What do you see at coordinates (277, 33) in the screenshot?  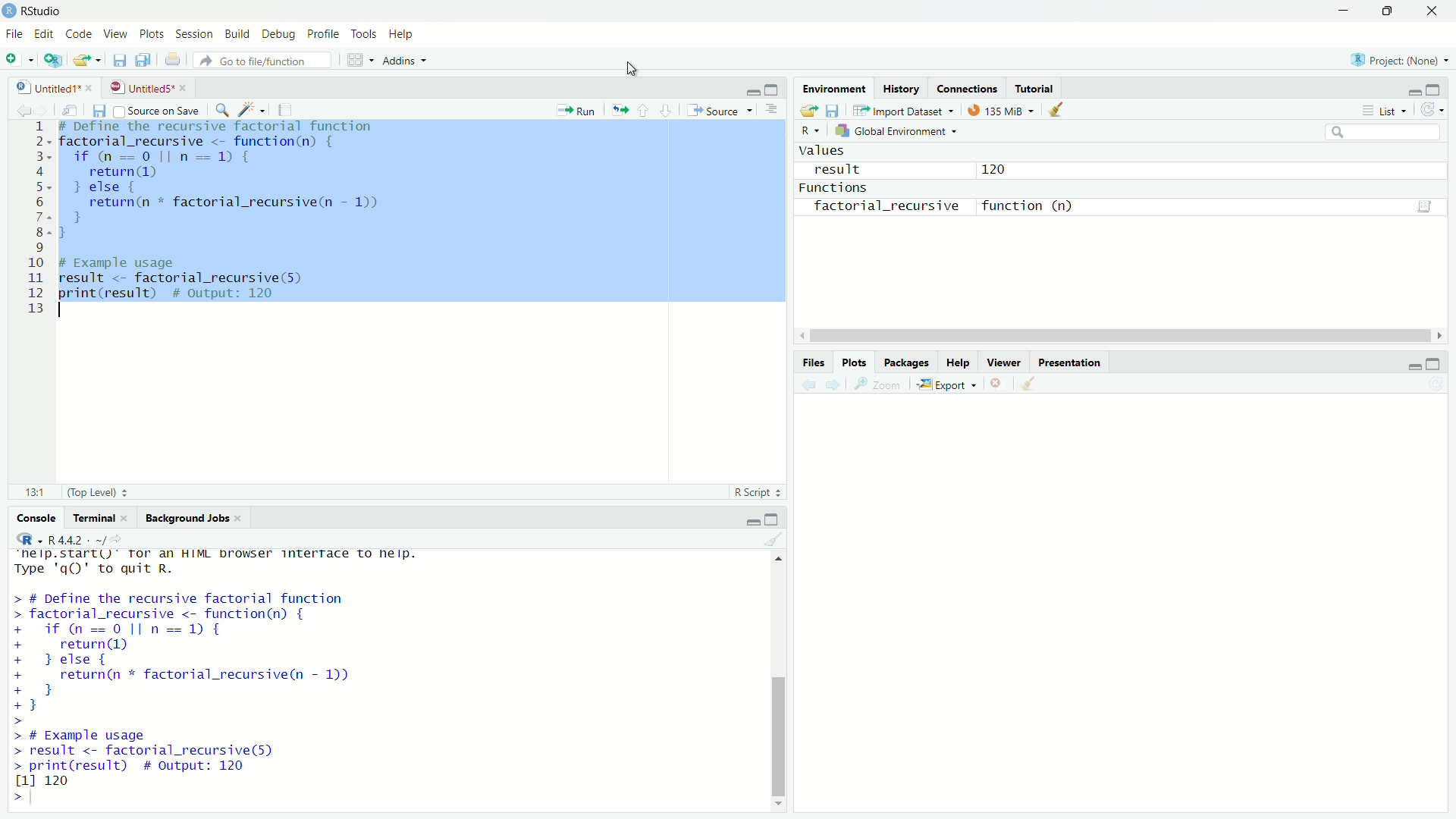 I see `Debug` at bounding box center [277, 33].